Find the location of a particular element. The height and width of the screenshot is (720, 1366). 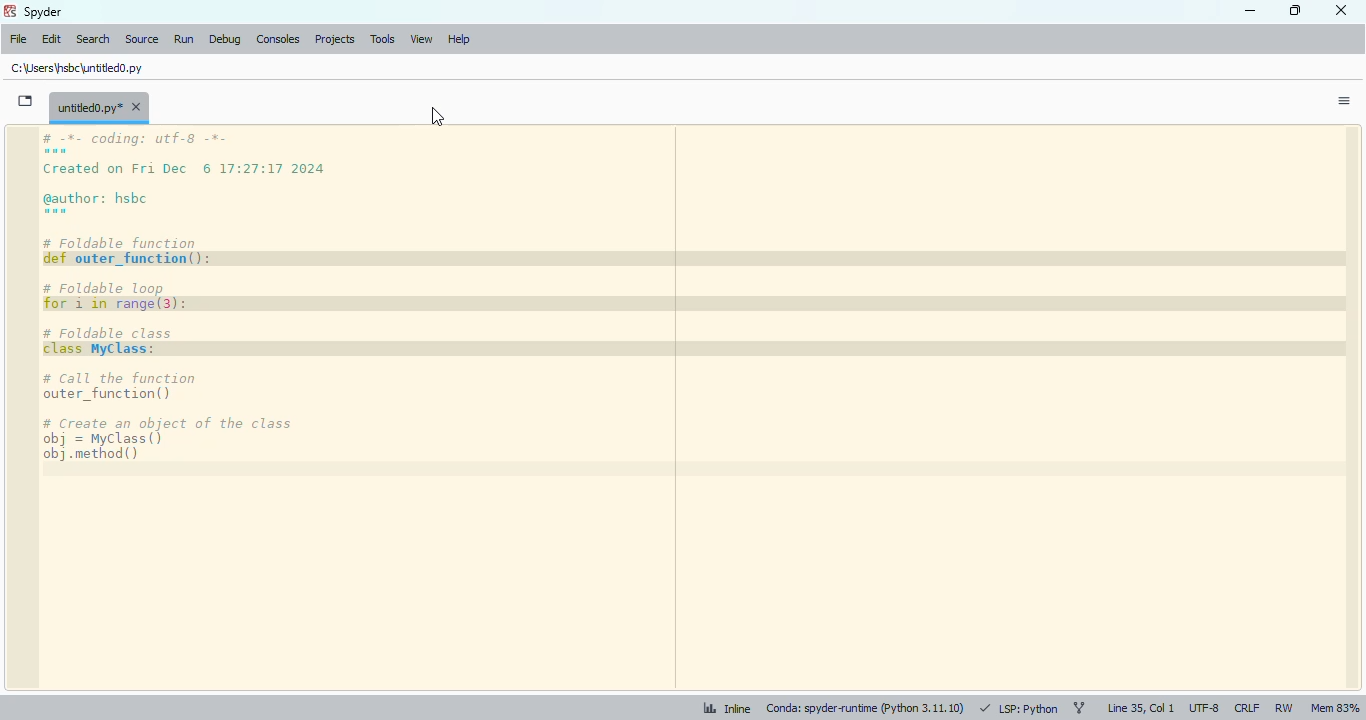

RW is located at coordinates (1284, 709).